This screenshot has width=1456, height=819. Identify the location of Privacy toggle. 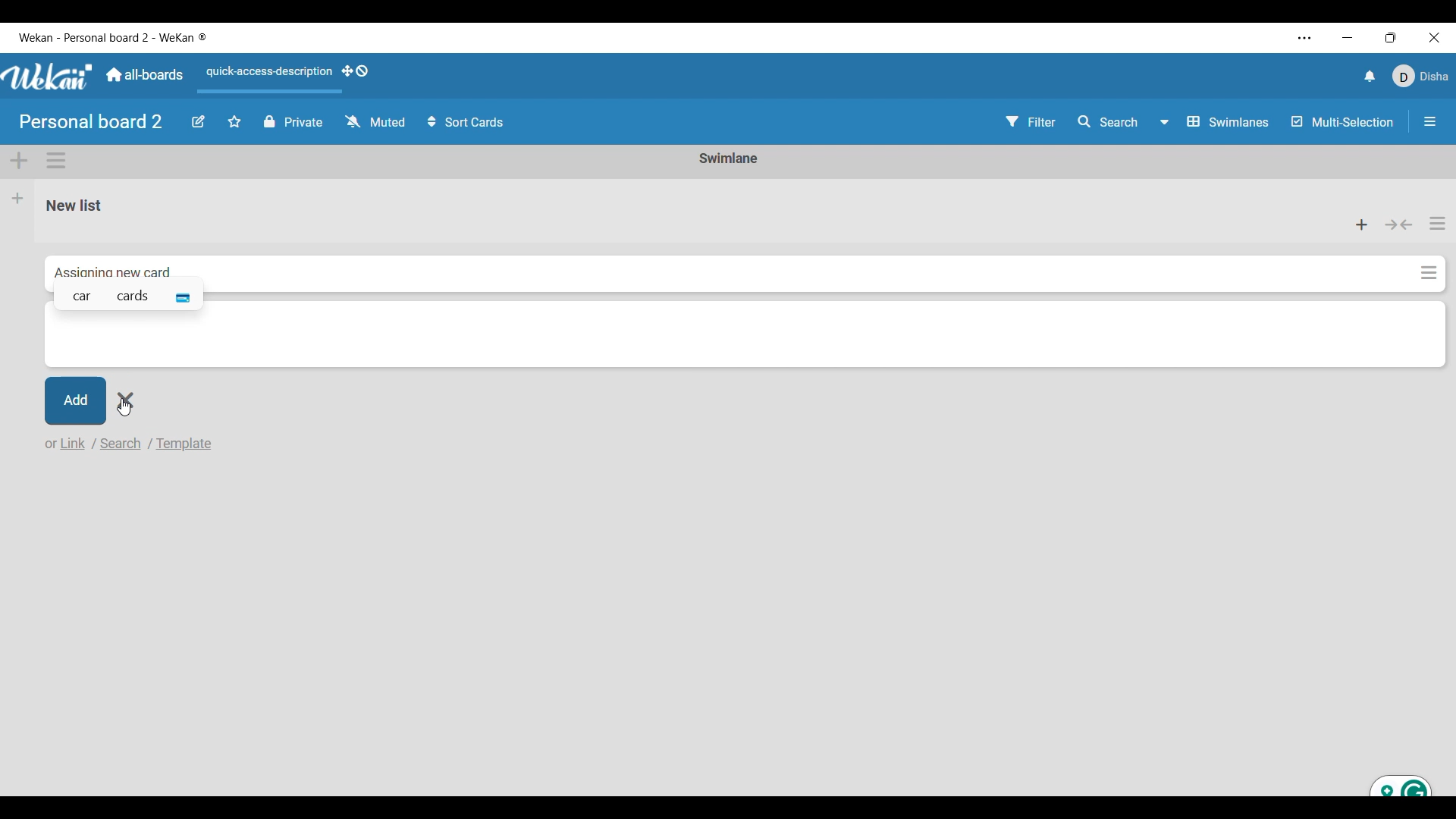
(293, 121).